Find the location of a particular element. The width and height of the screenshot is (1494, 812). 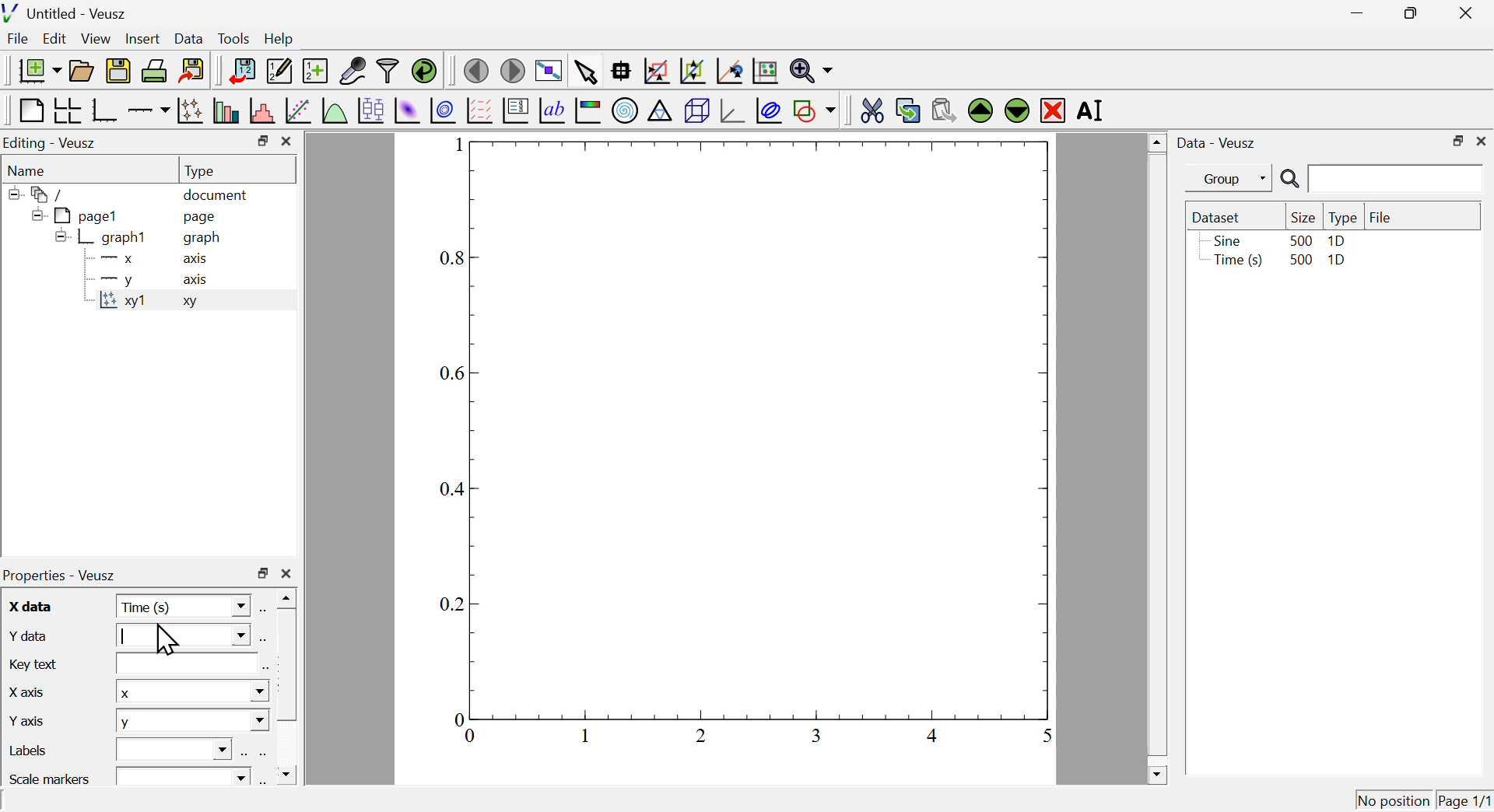

no position is located at coordinates (1394, 799).